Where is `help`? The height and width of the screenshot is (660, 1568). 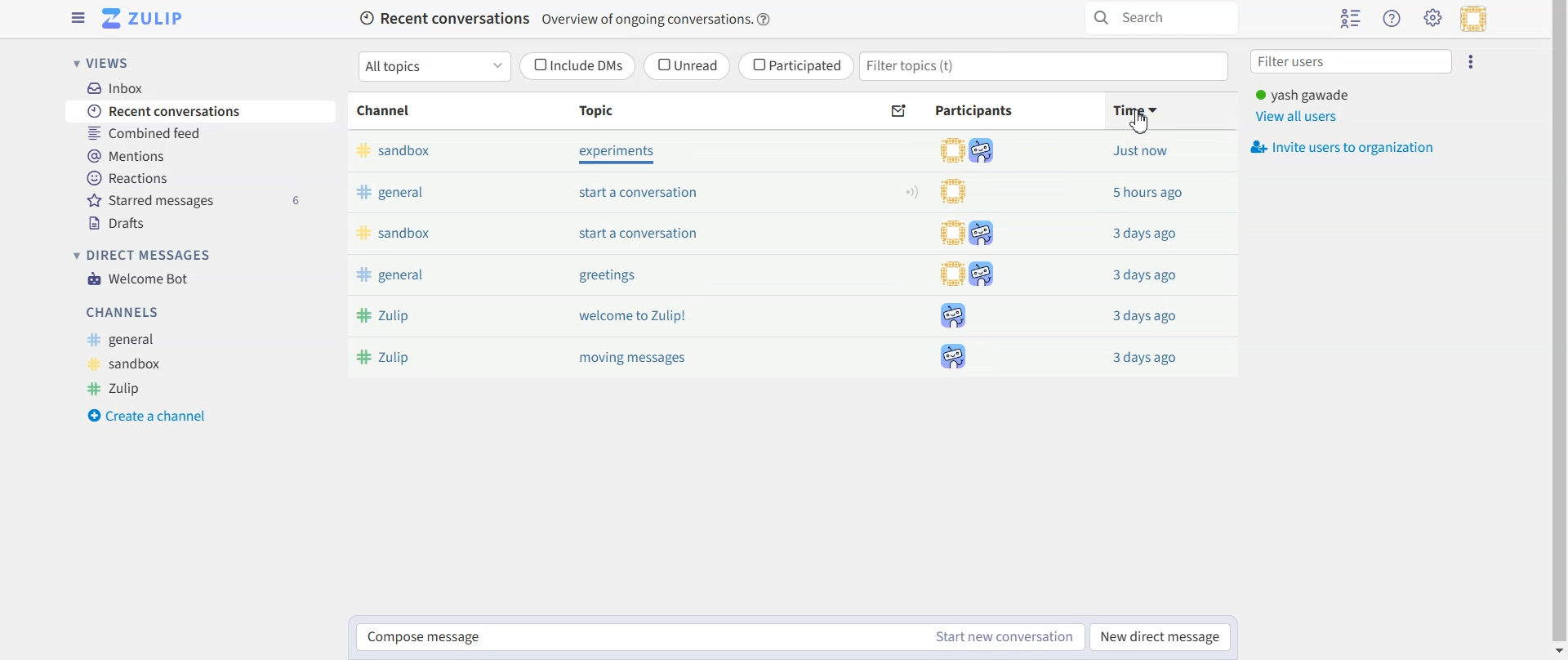
help is located at coordinates (765, 20).